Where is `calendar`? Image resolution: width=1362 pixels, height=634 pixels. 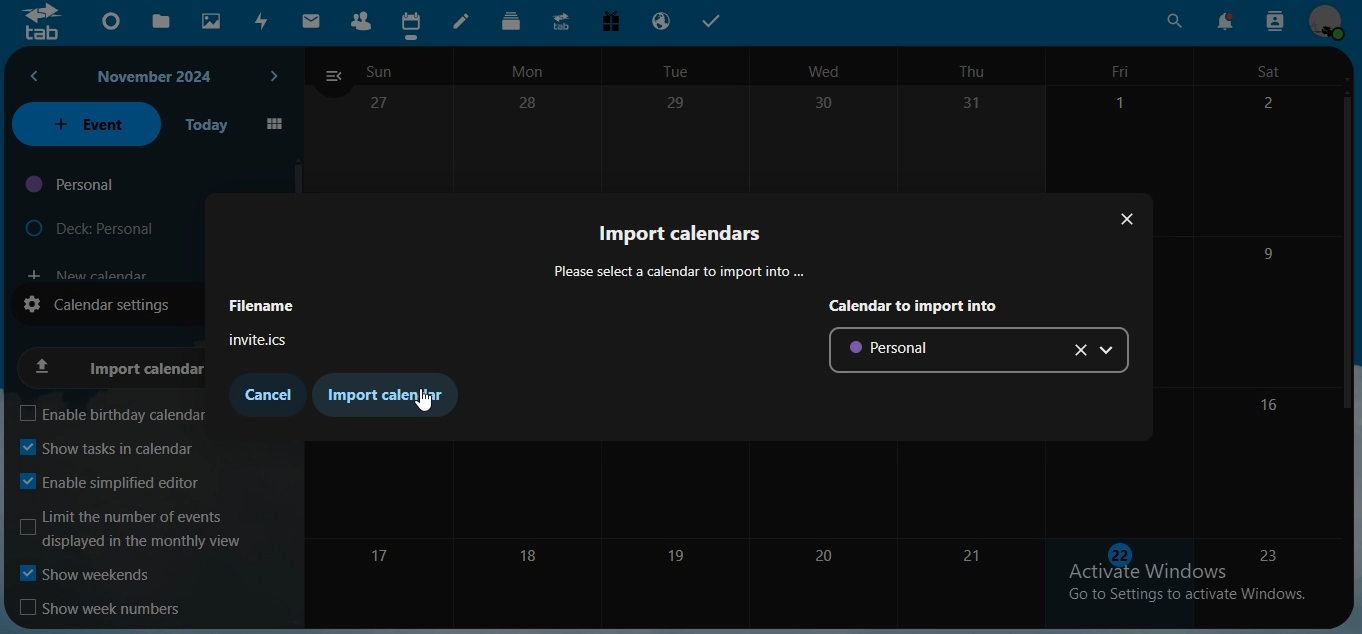 calendar is located at coordinates (411, 22).